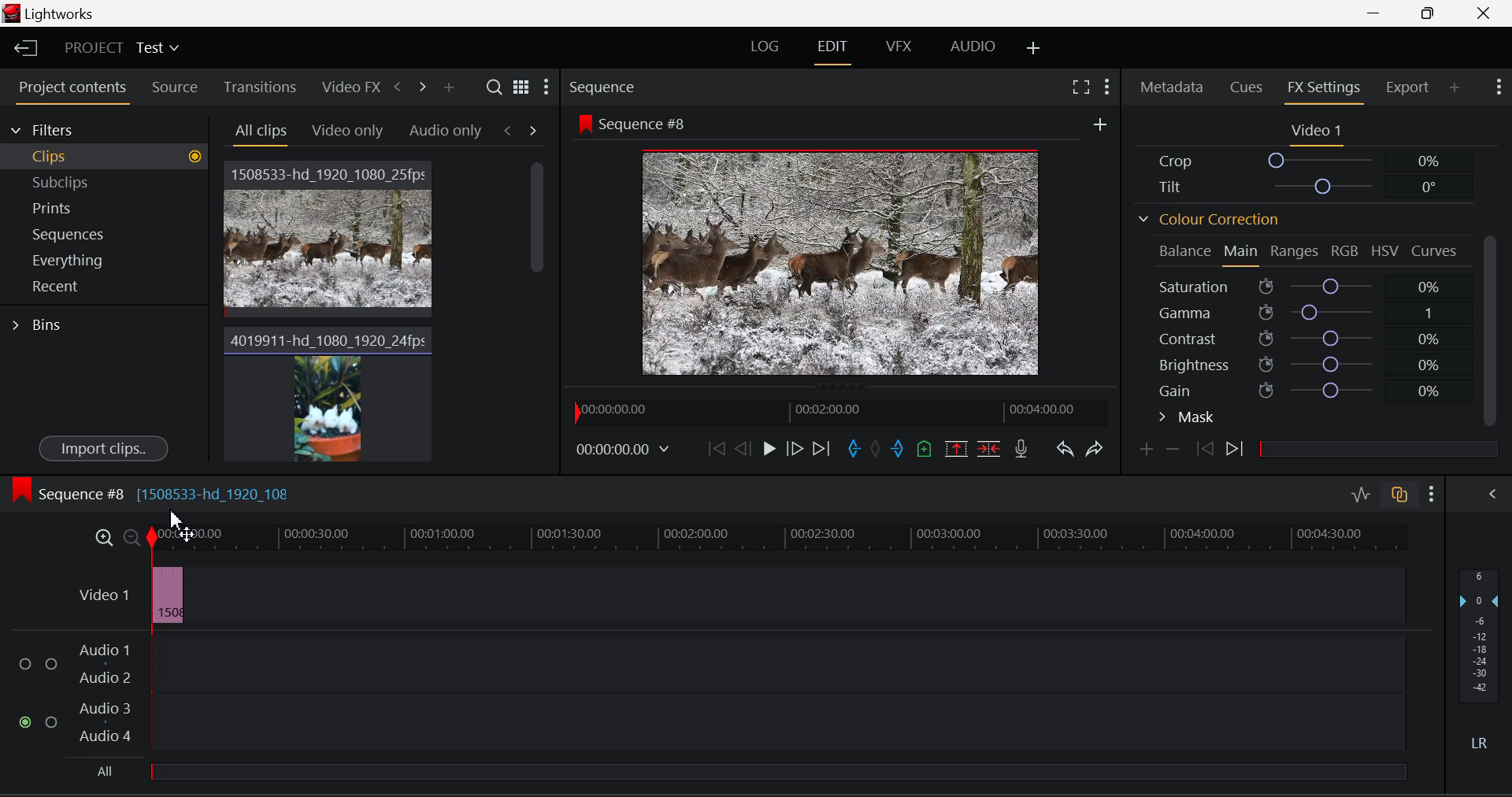  What do you see at coordinates (521, 131) in the screenshot?
I see `Movement between Tabs` at bounding box center [521, 131].